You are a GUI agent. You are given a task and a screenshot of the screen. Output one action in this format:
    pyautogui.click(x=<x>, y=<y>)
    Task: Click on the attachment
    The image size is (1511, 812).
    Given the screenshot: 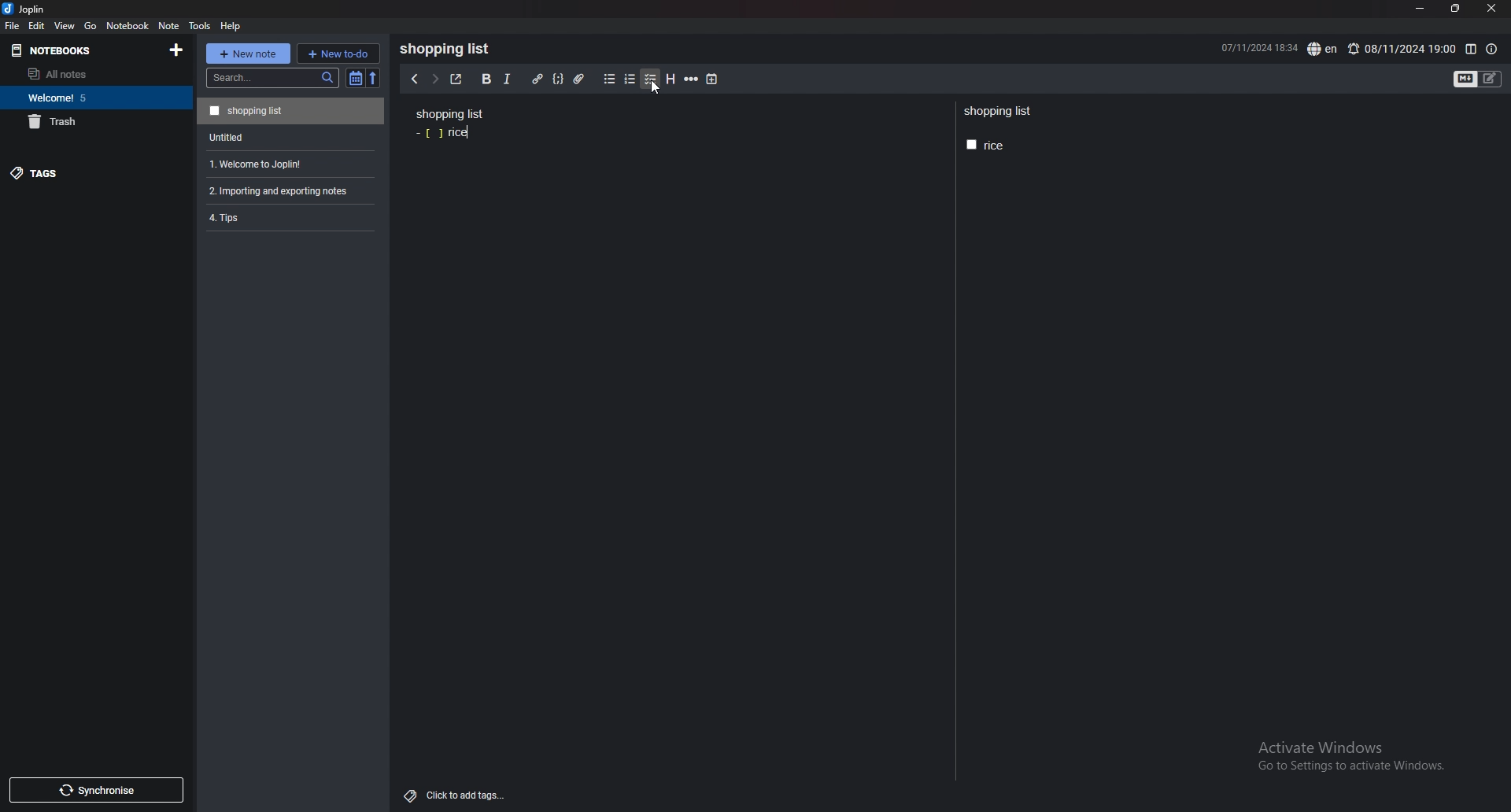 What is the action you would take?
    pyautogui.click(x=582, y=79)
    